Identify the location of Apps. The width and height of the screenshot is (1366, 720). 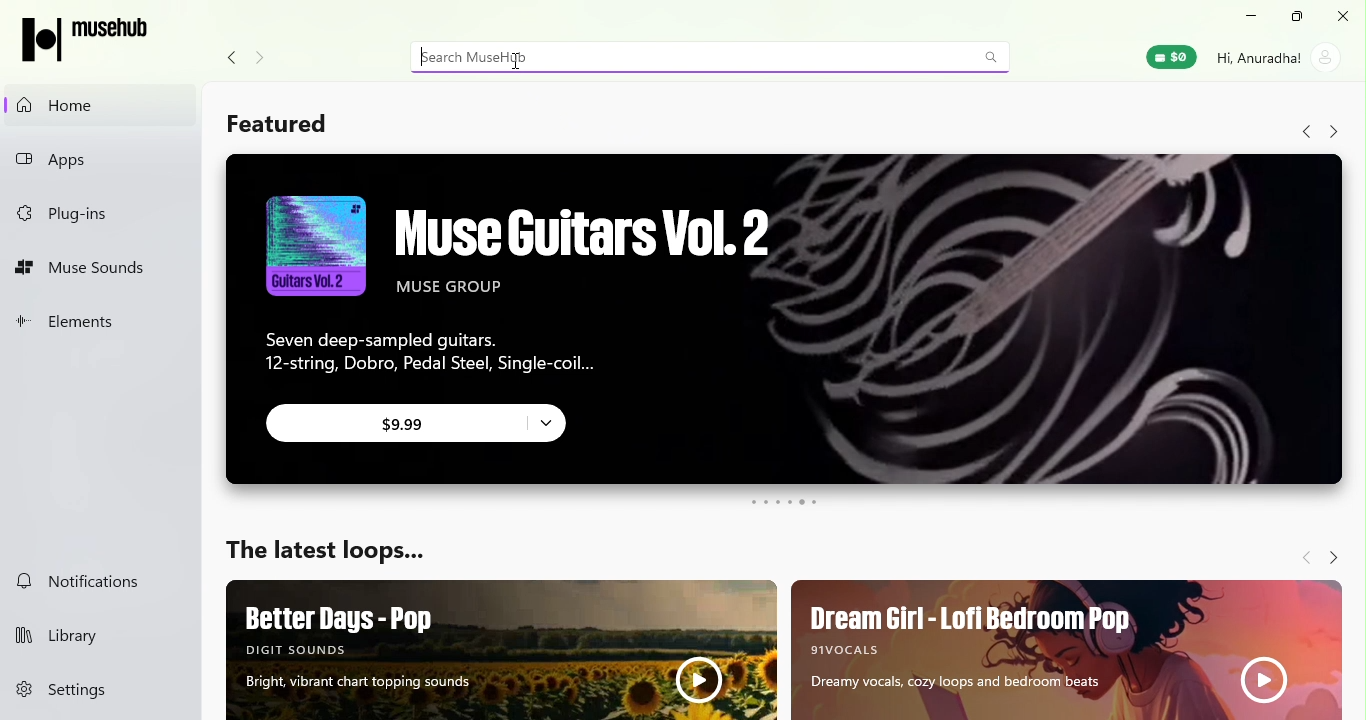
(98, 160).